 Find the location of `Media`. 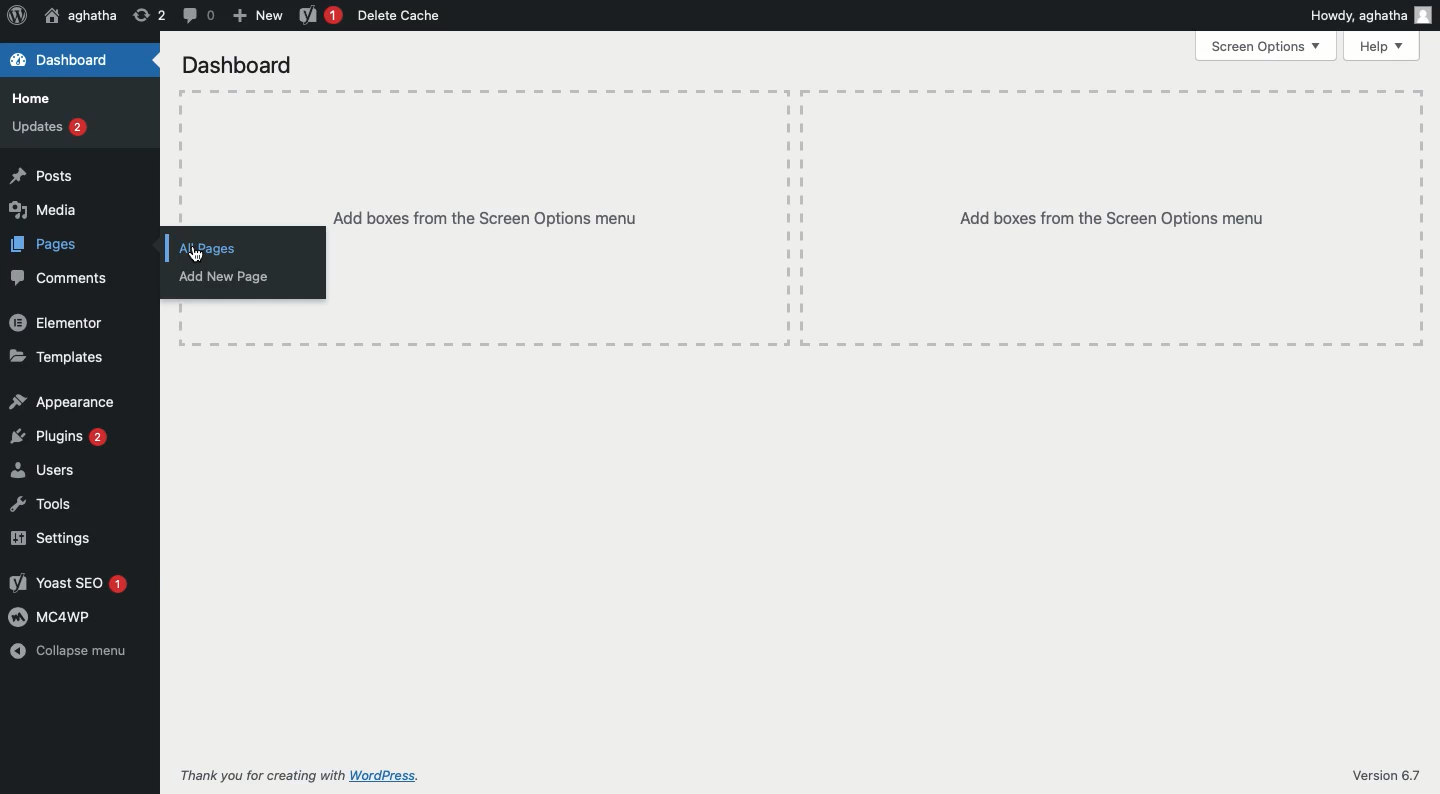

Media is located at coordinates (73, 210).